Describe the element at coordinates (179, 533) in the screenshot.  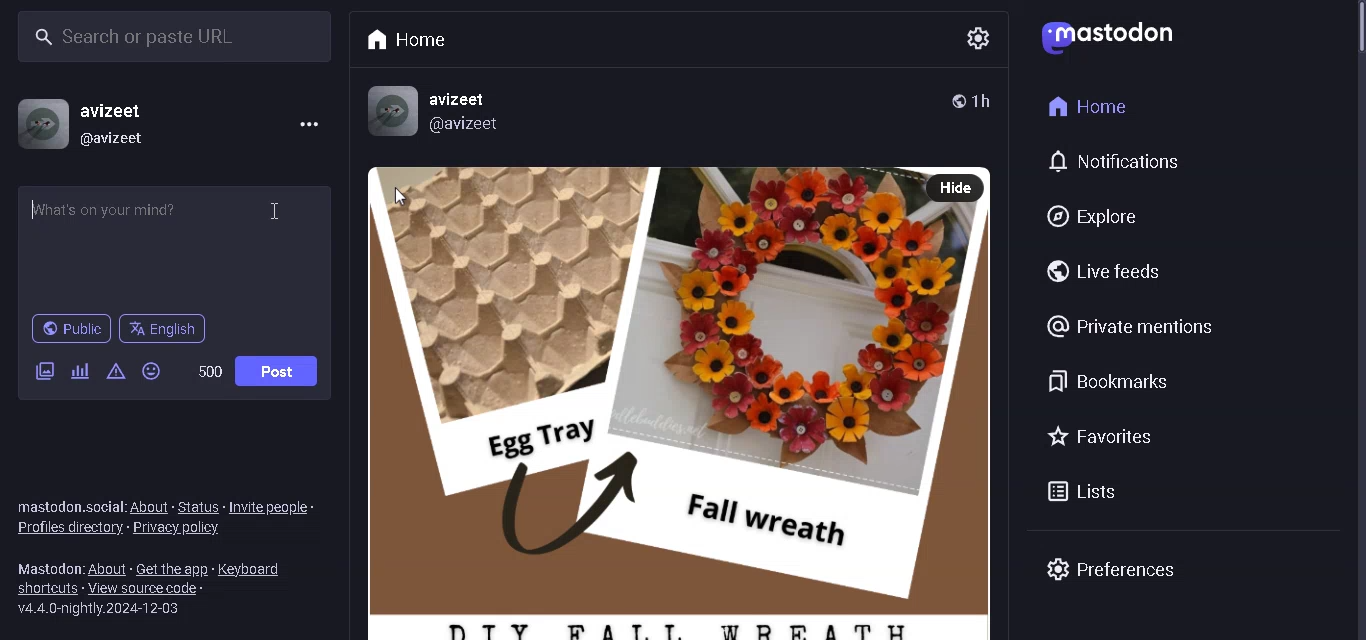
I see `PRIVACY POLICY` at that location.